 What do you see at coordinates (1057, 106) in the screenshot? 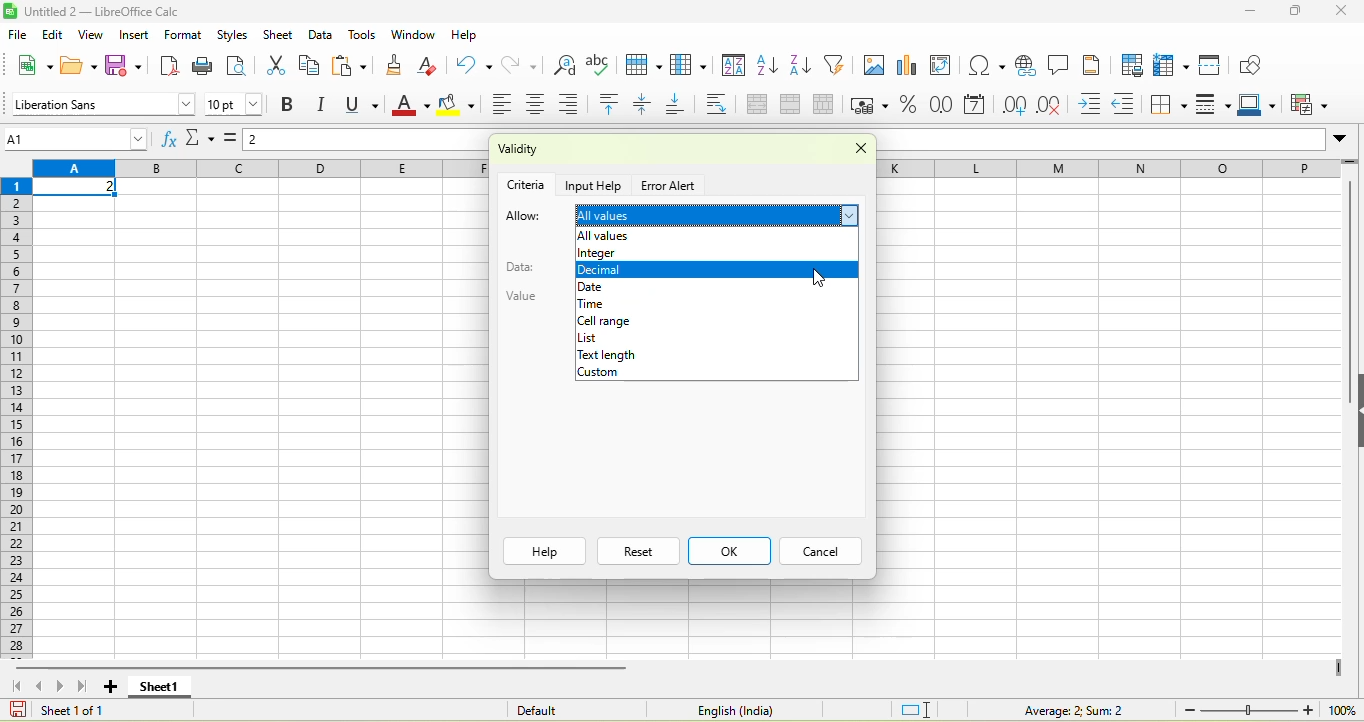
I see `delete decimal` at bounding box center [1057, 106].